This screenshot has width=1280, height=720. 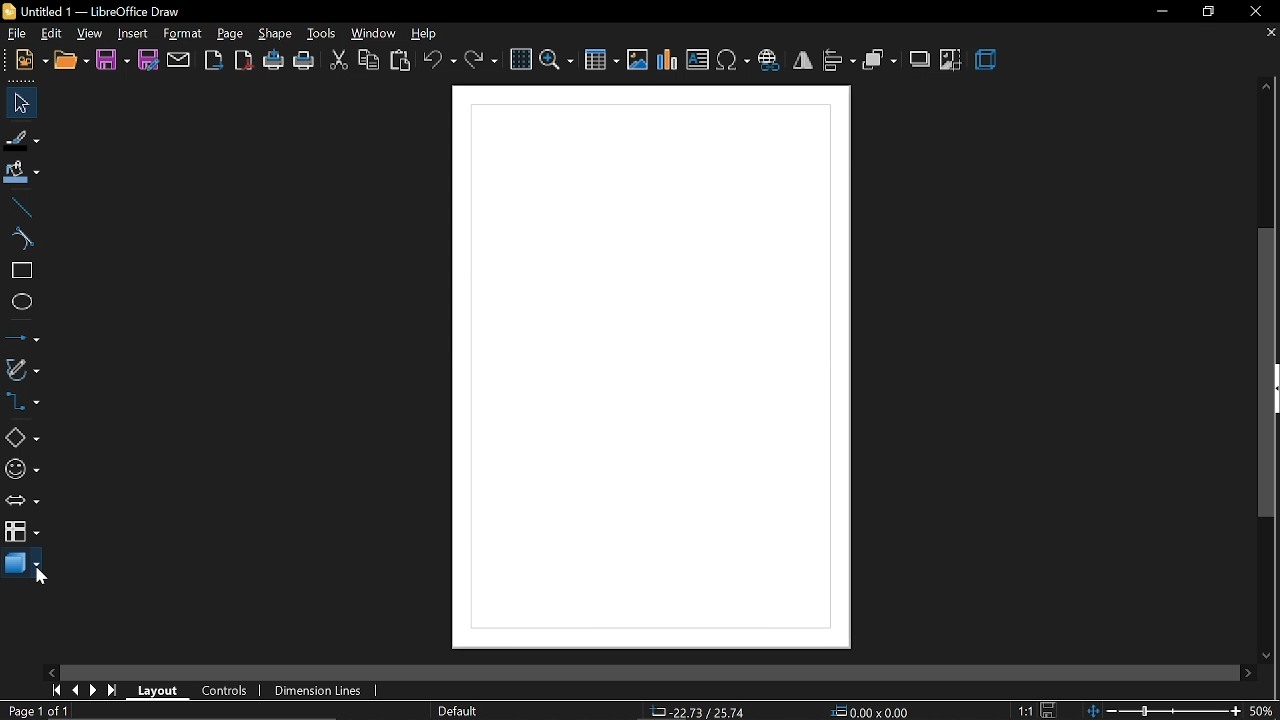 What do you see at coordinates (32, 61) in the screenshot?
I see `new` at bounding box center [32, 61].